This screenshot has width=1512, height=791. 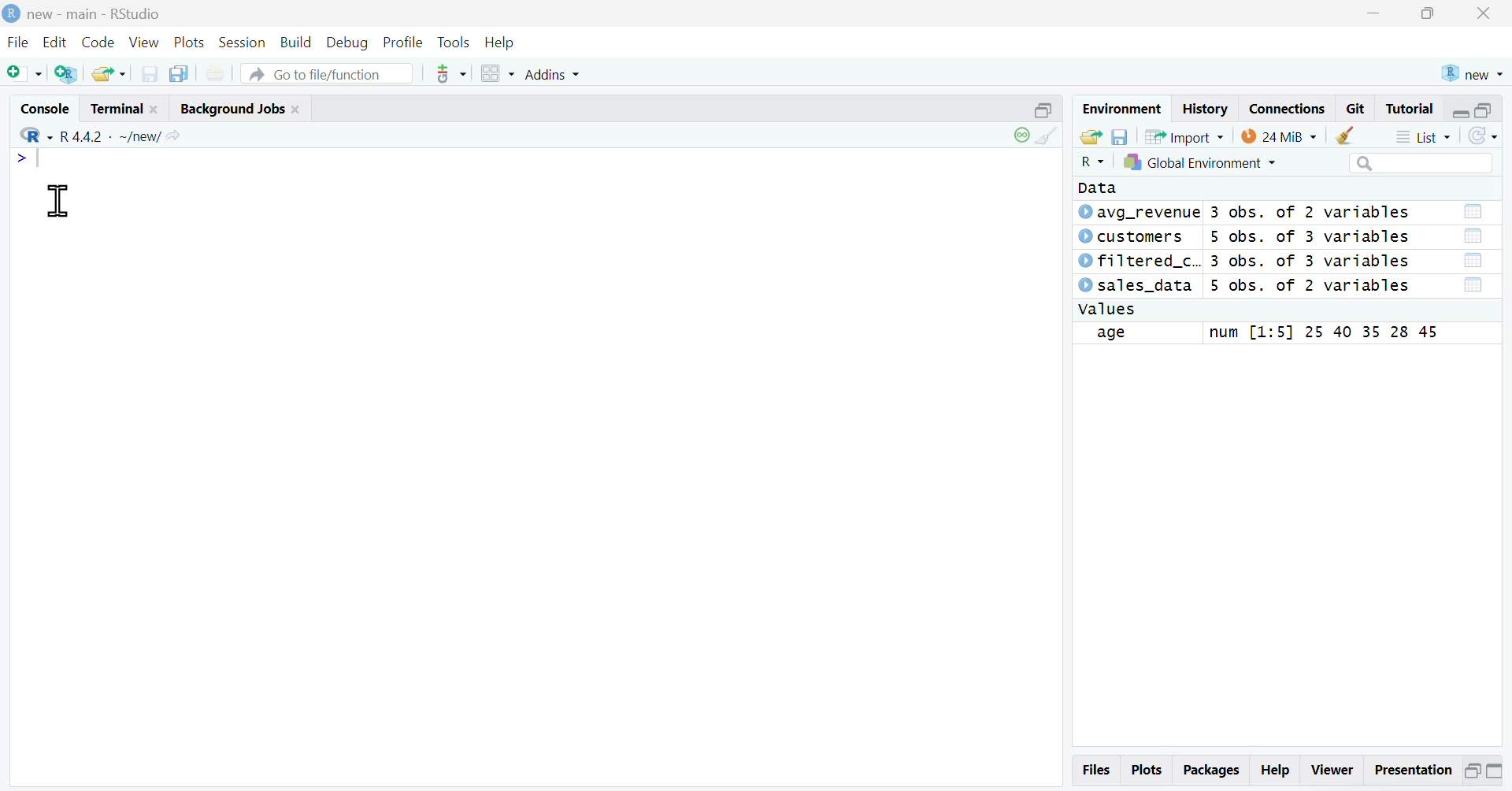 What do you see at coordinates (213, 73) in the screenshot?
I see `Print the current file` at bounding box center [213, 73].